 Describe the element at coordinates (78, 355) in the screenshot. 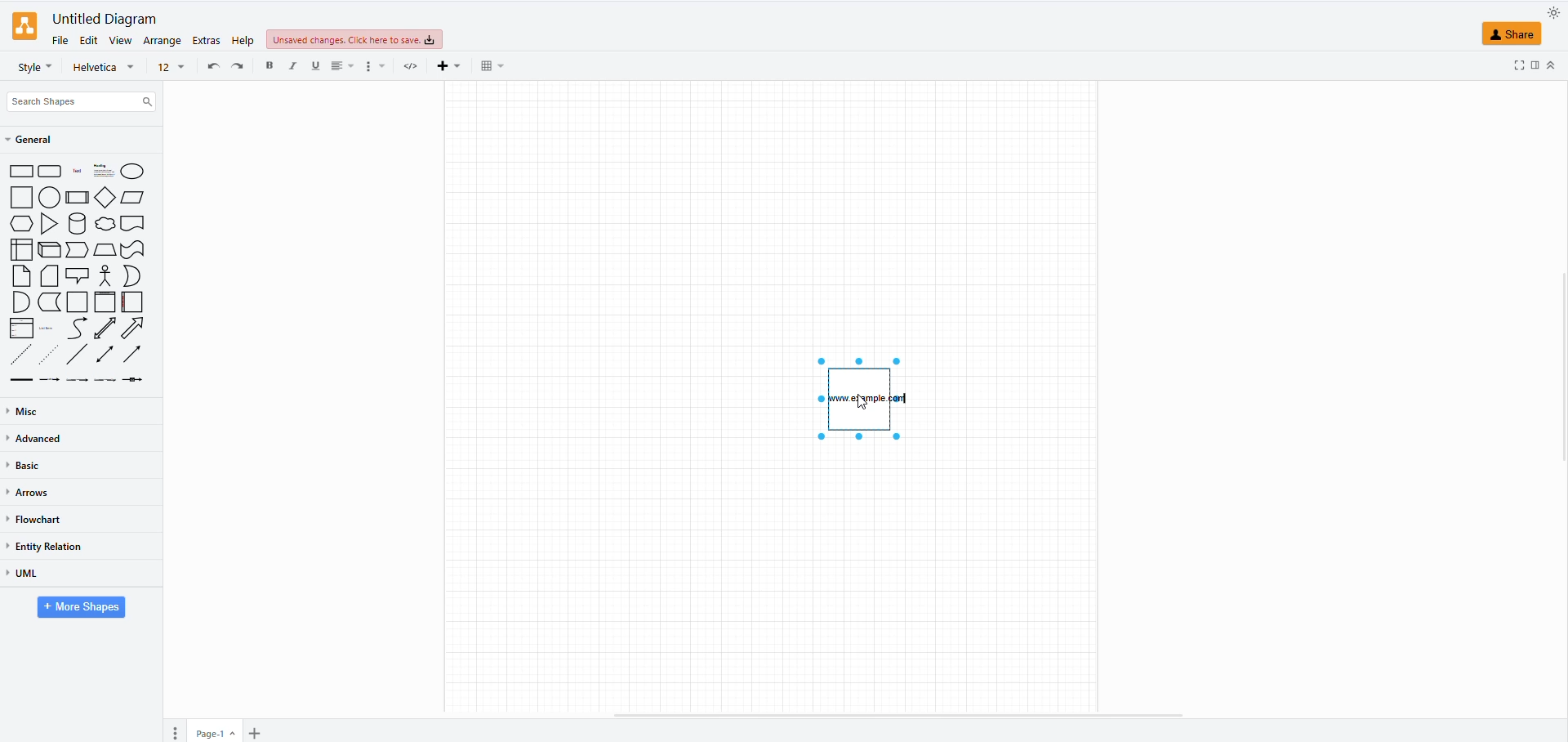

I see `line ` at that location.